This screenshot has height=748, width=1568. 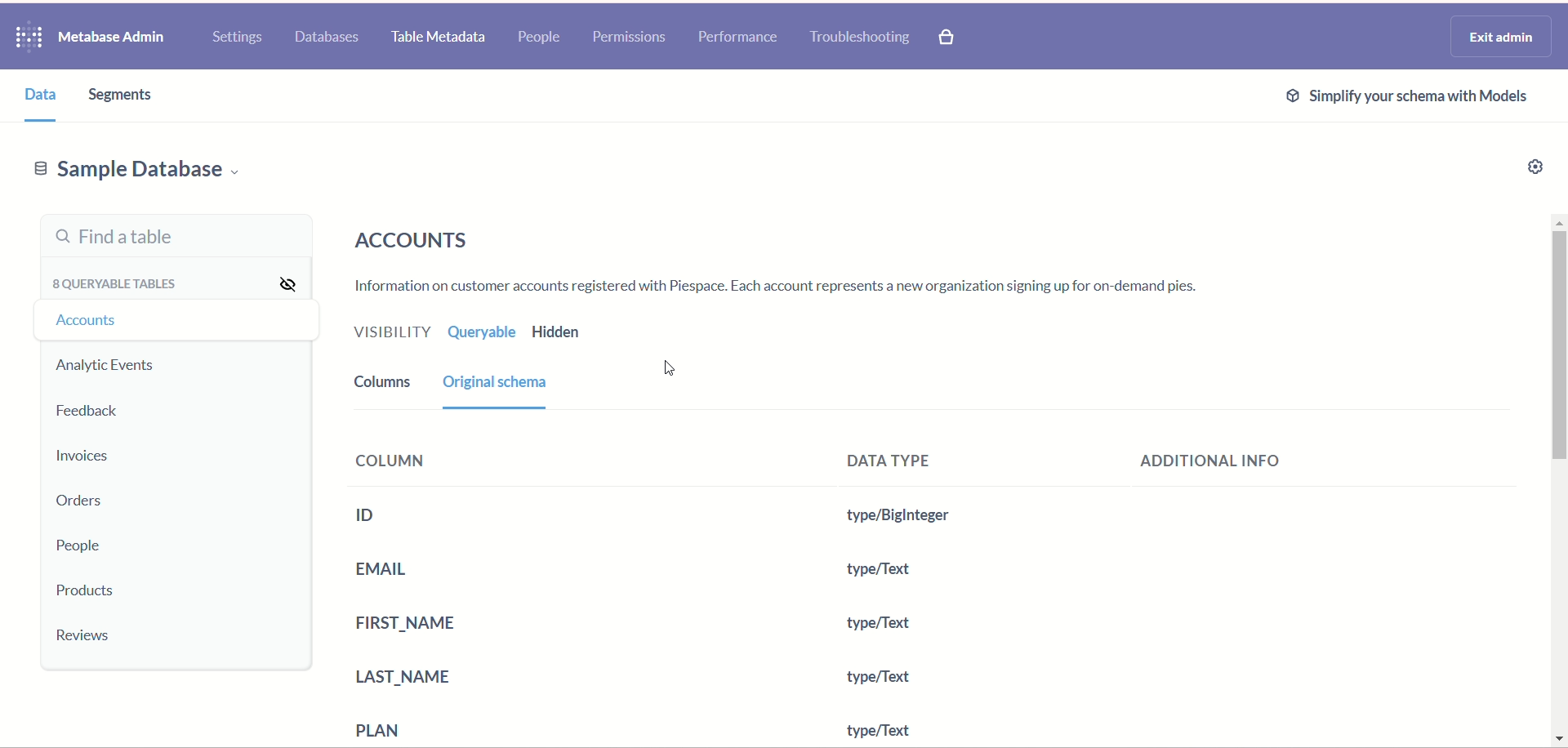 What do you see at coordinates (90, 456) in the screenshot?
I see `invoices` at bounding box center [90, 456].